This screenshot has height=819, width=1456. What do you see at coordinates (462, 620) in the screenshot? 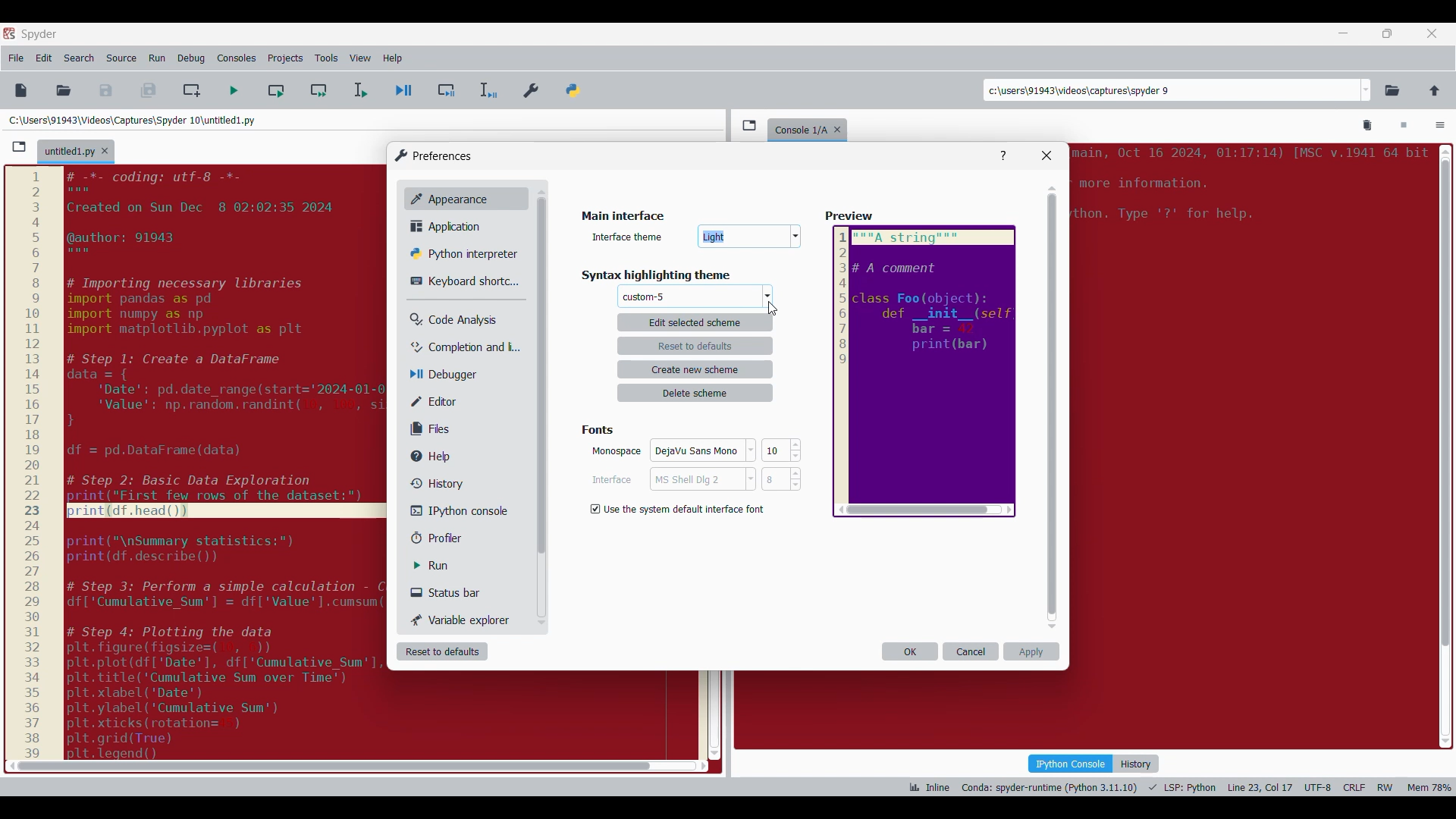
I see `Variable explorer` at bounding box center [462, 620].